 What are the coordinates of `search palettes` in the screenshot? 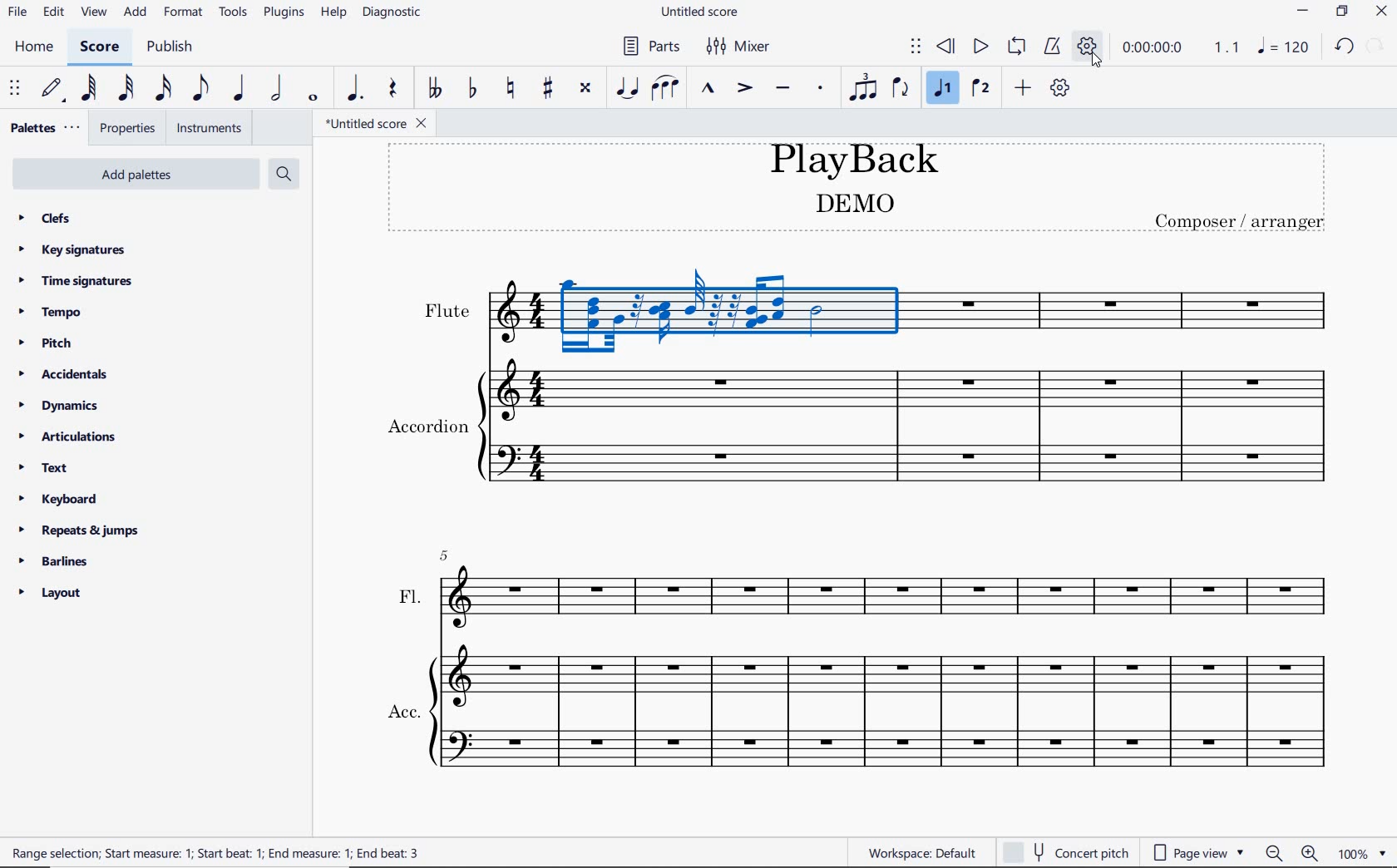 It's located at (284, 175).